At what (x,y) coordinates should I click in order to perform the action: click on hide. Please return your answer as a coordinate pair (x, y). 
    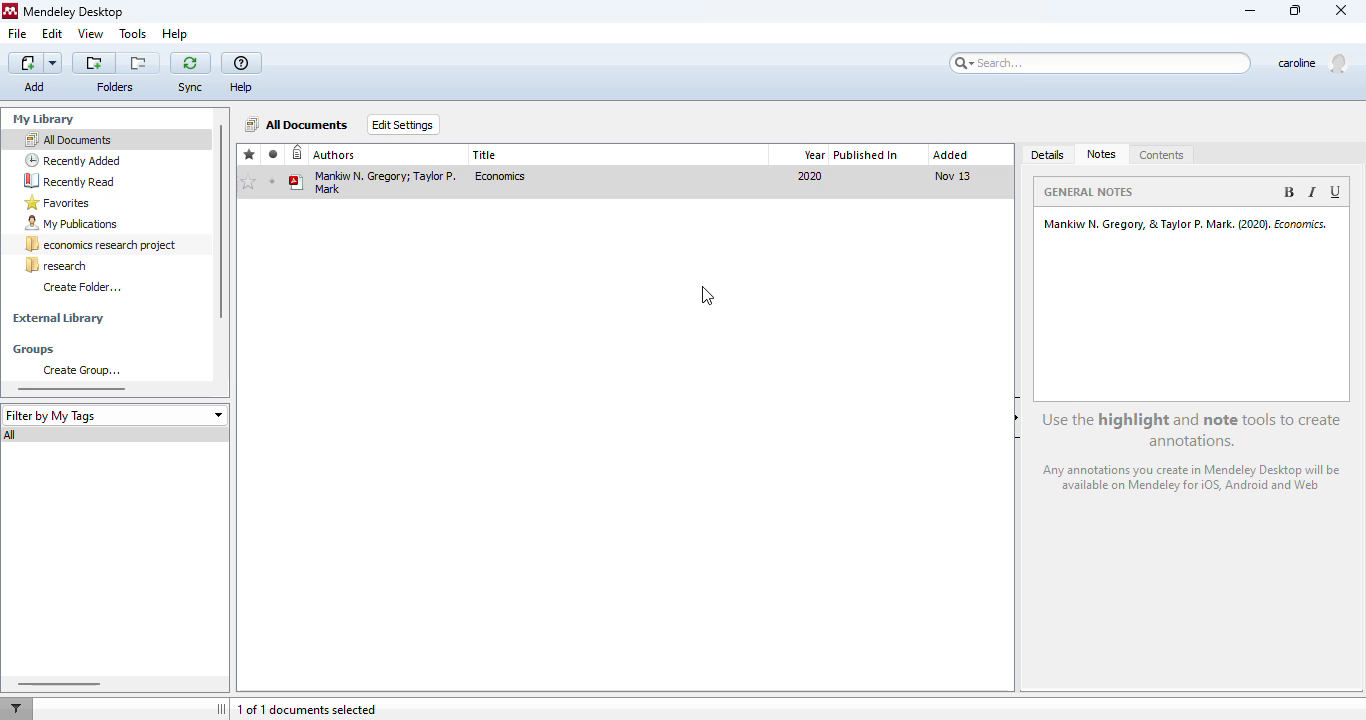
    Looking at the image, I should click on (1018, 417).